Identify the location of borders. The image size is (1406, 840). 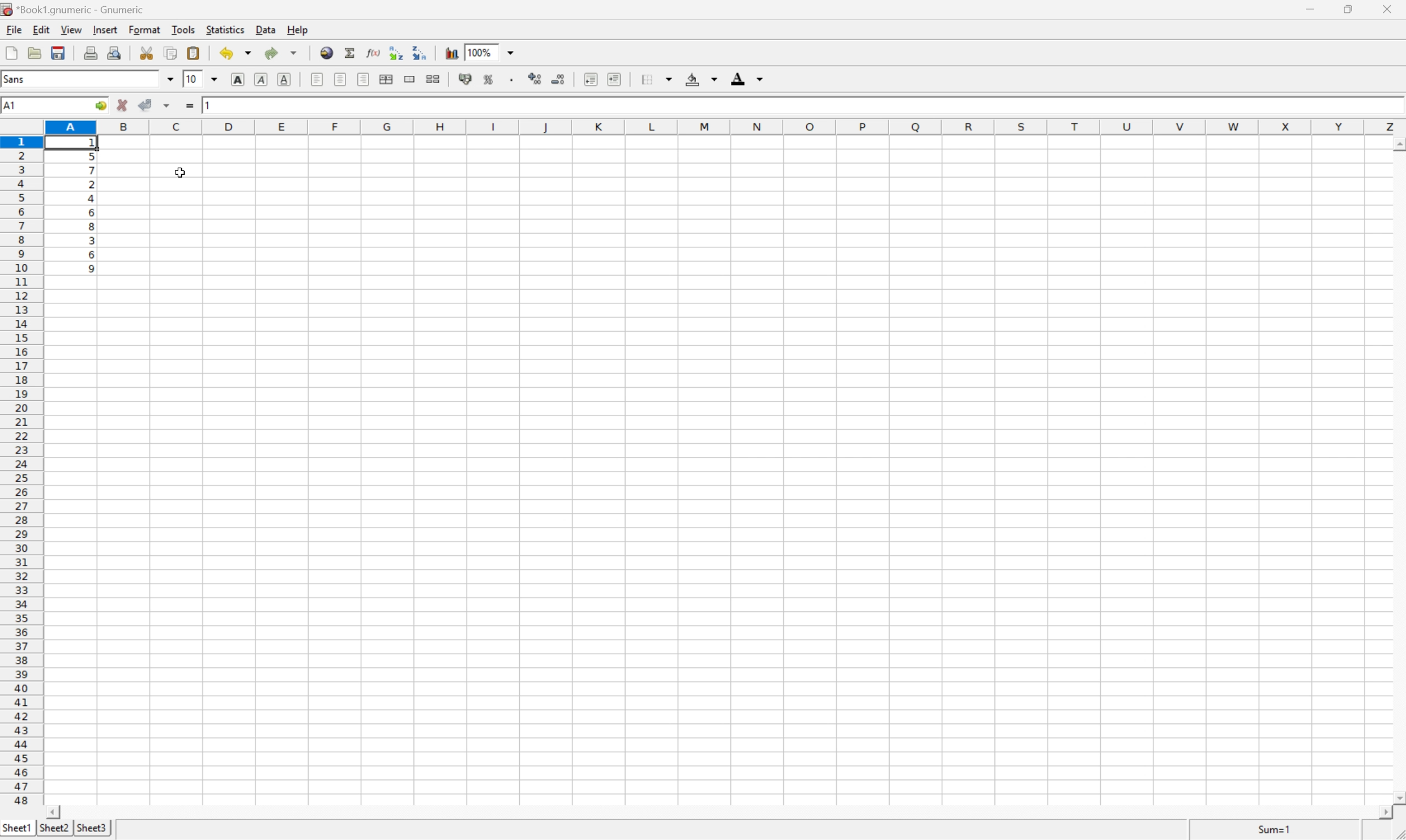
(656, 79).